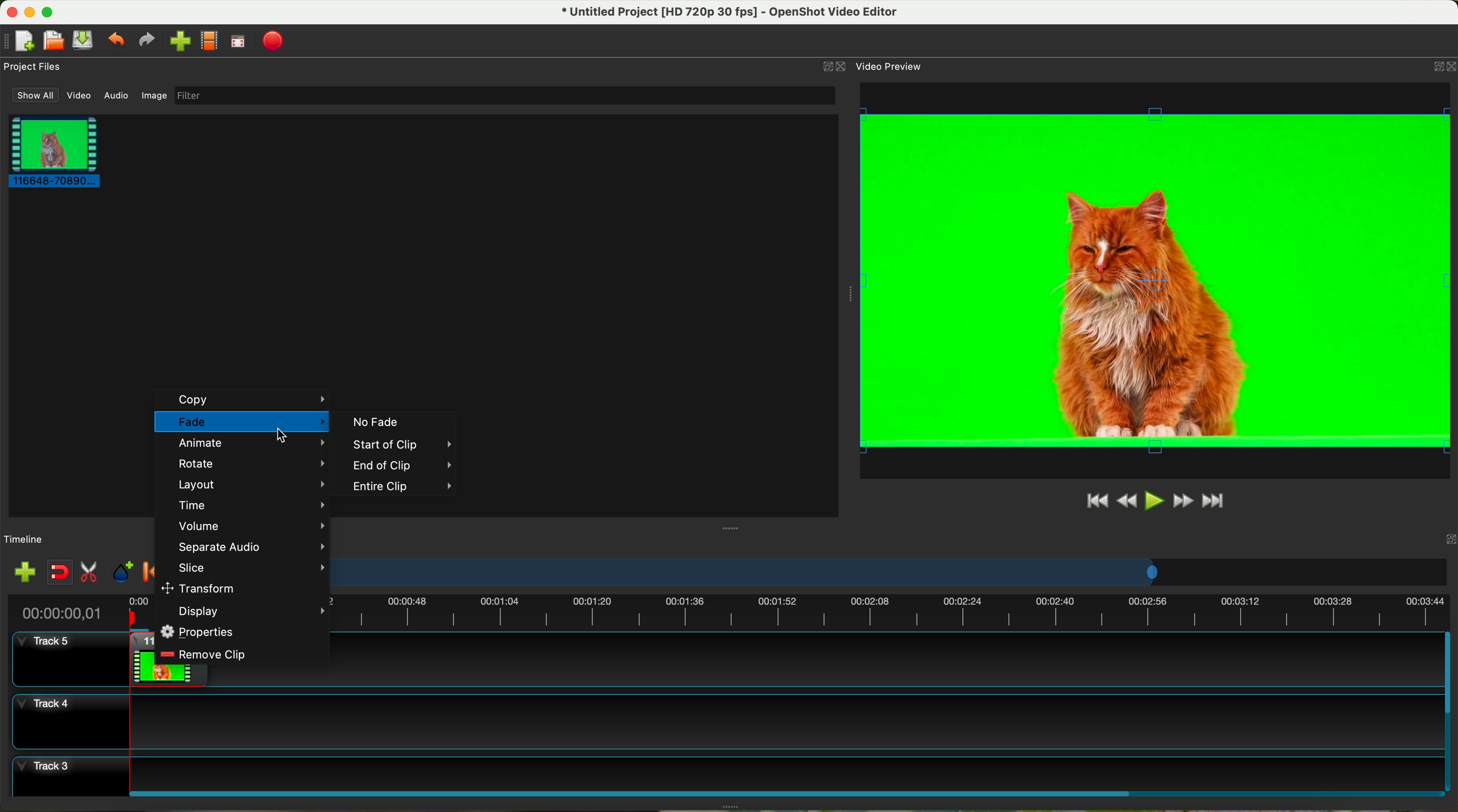 This screenshot has width=1458, height=812. Describe the element at coordinates (250, 463) in the screenshot. I see `rotate` at that location.